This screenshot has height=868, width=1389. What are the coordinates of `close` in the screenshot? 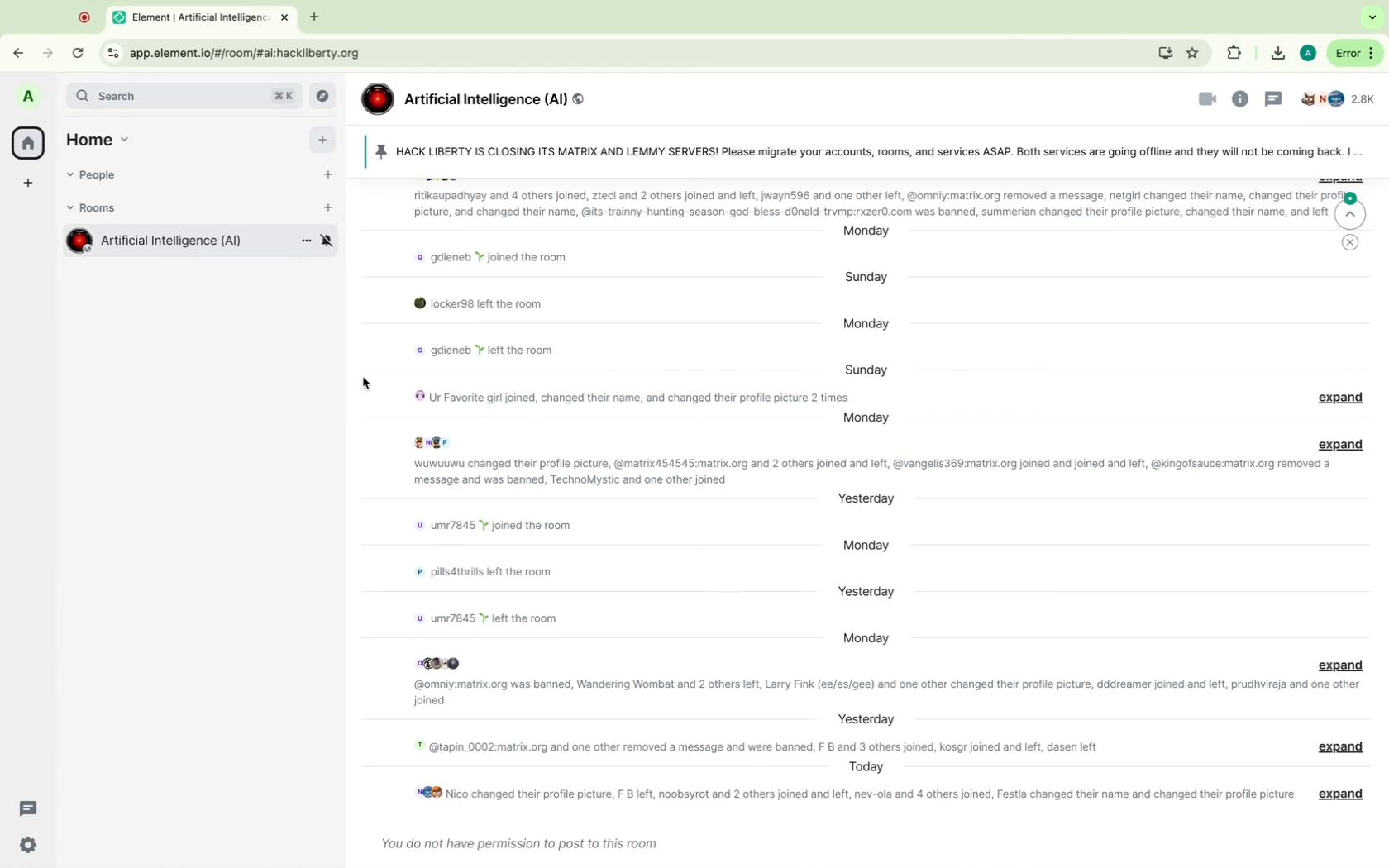 It's located at (1352, 242).